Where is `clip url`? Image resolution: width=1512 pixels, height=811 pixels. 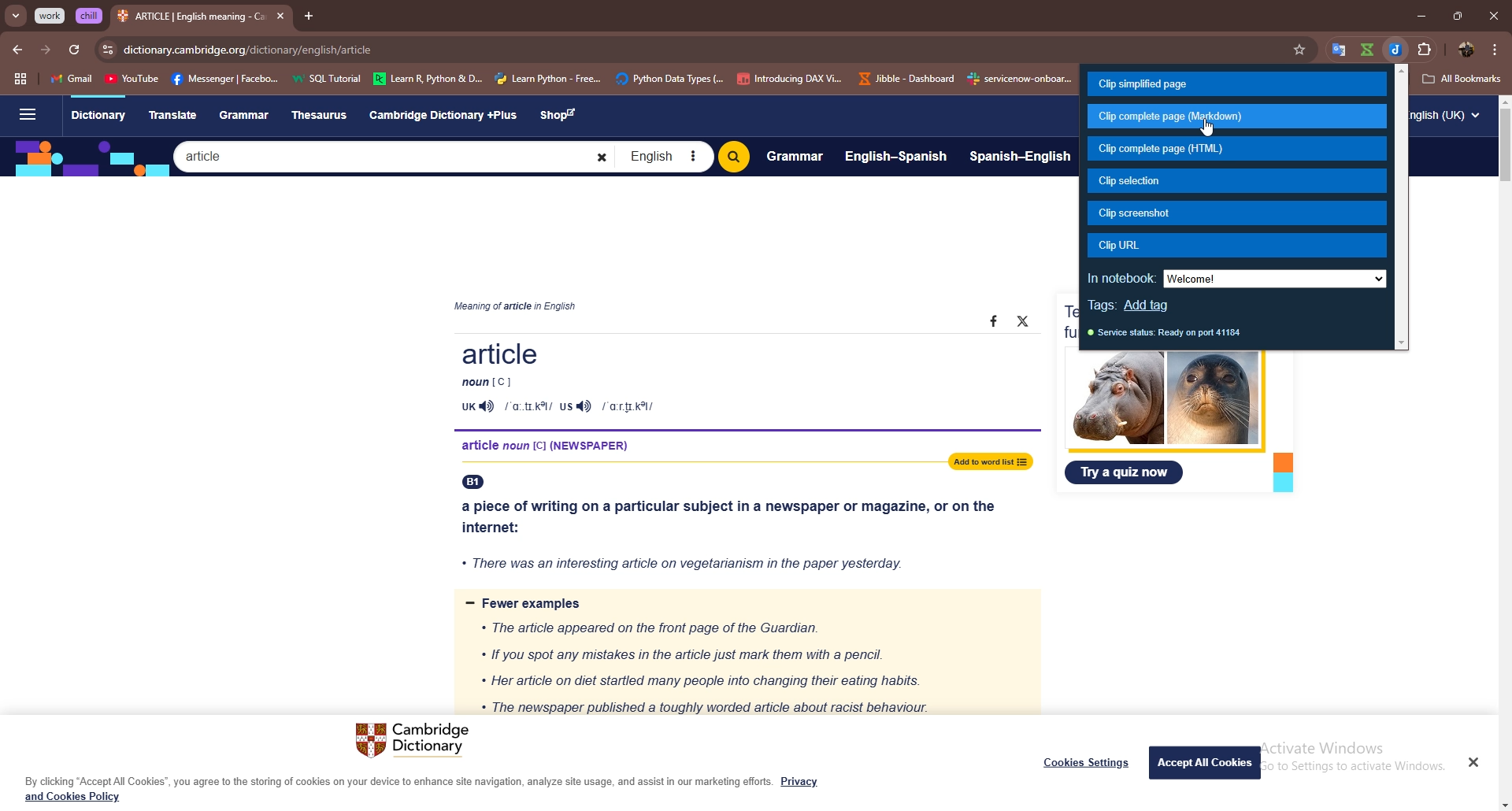 clip url is located at coordinates (1236, 246).